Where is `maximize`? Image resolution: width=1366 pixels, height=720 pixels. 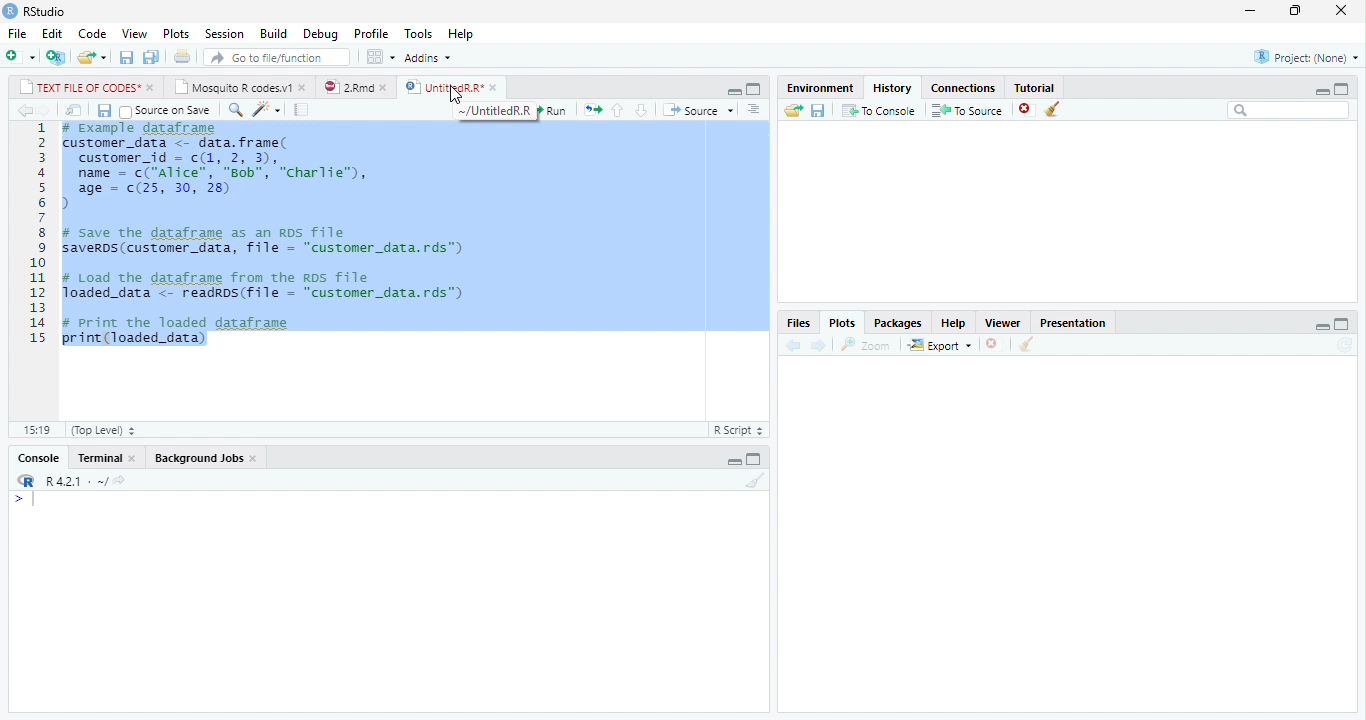
maximize is located at coordinates (754, 459).